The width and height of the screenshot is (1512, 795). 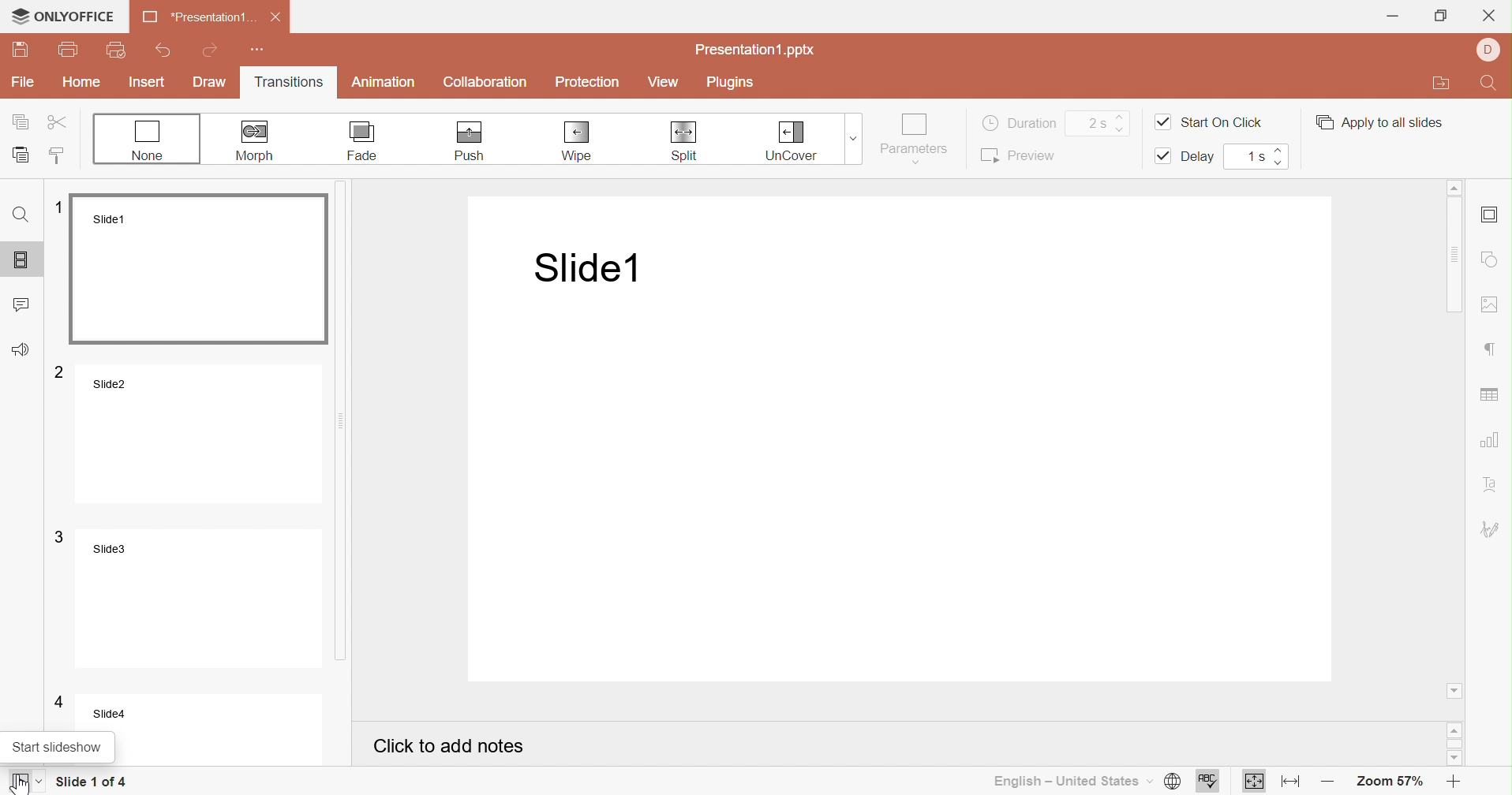 What do you see at coordinates (258, 49) in the screenshot?
I see `Customize Quick Access Toolbar` at bounding box center [258, 49].